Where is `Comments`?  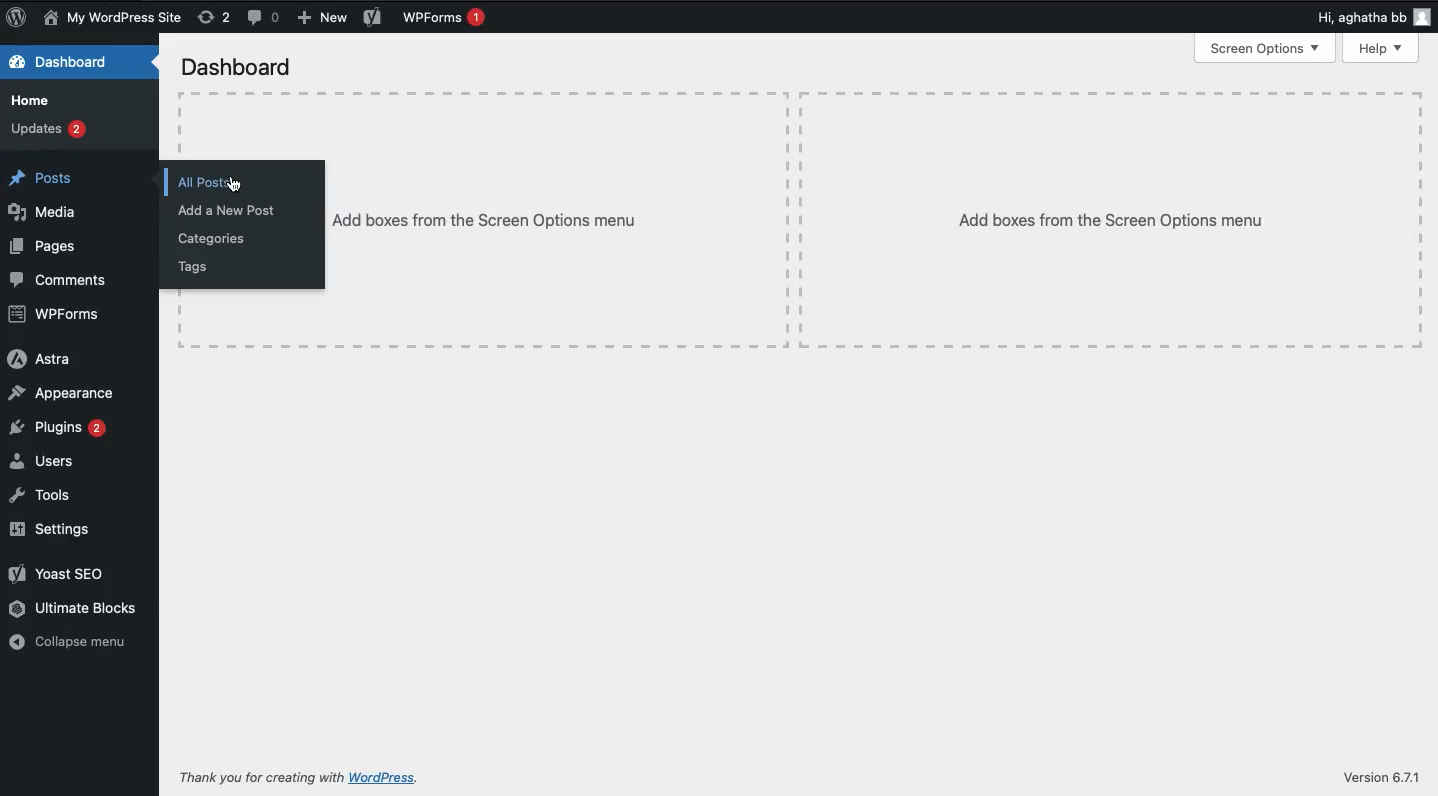
Comments is located at coordinates (261, 18).